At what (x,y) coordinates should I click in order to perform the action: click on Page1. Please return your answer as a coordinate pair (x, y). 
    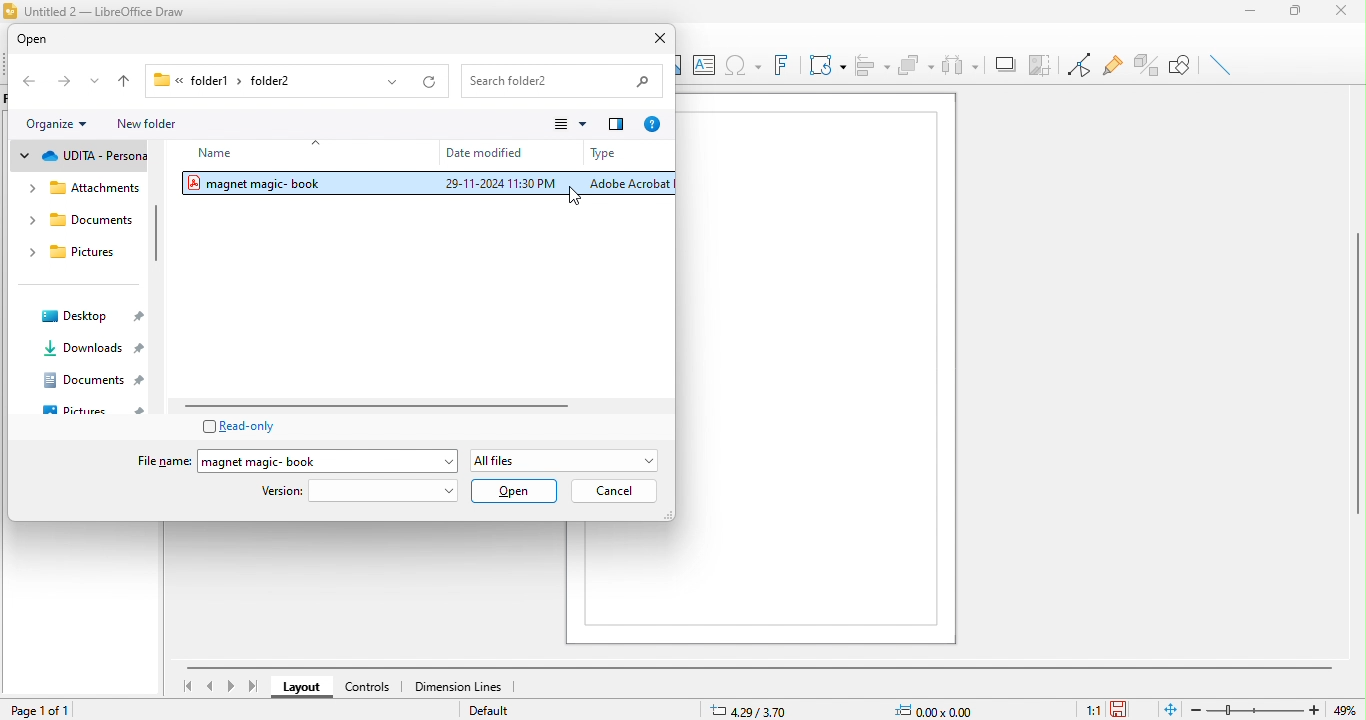
    Looking at the image, I should click on (817, 367).